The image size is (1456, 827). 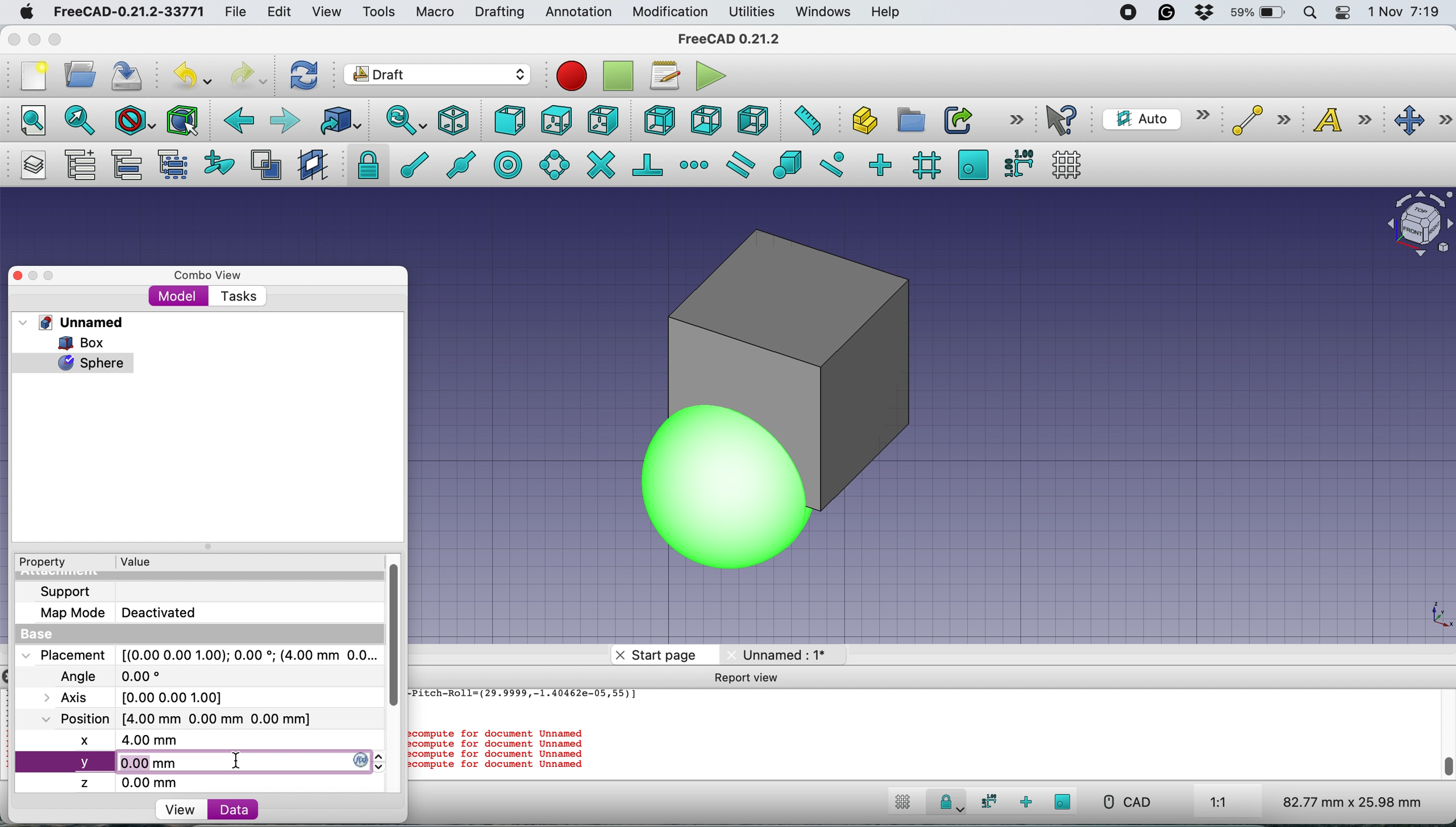 I want to click on sphere selected, so click(x=73, y=360).